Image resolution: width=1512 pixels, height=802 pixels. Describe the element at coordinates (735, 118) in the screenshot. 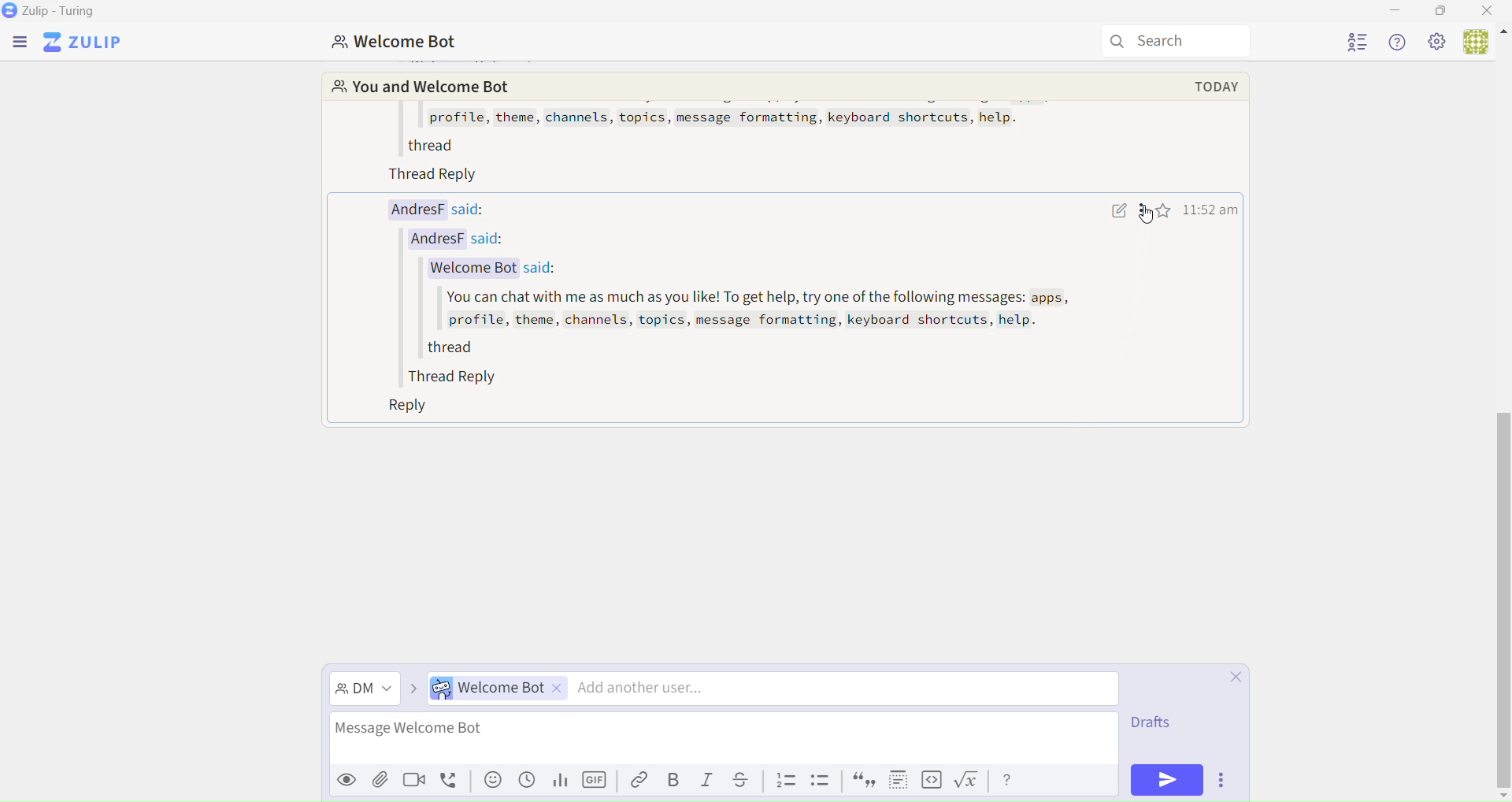

I see `profile, theme, channels, topics, message formatting, keyboard shortcuts, help.` at that location.